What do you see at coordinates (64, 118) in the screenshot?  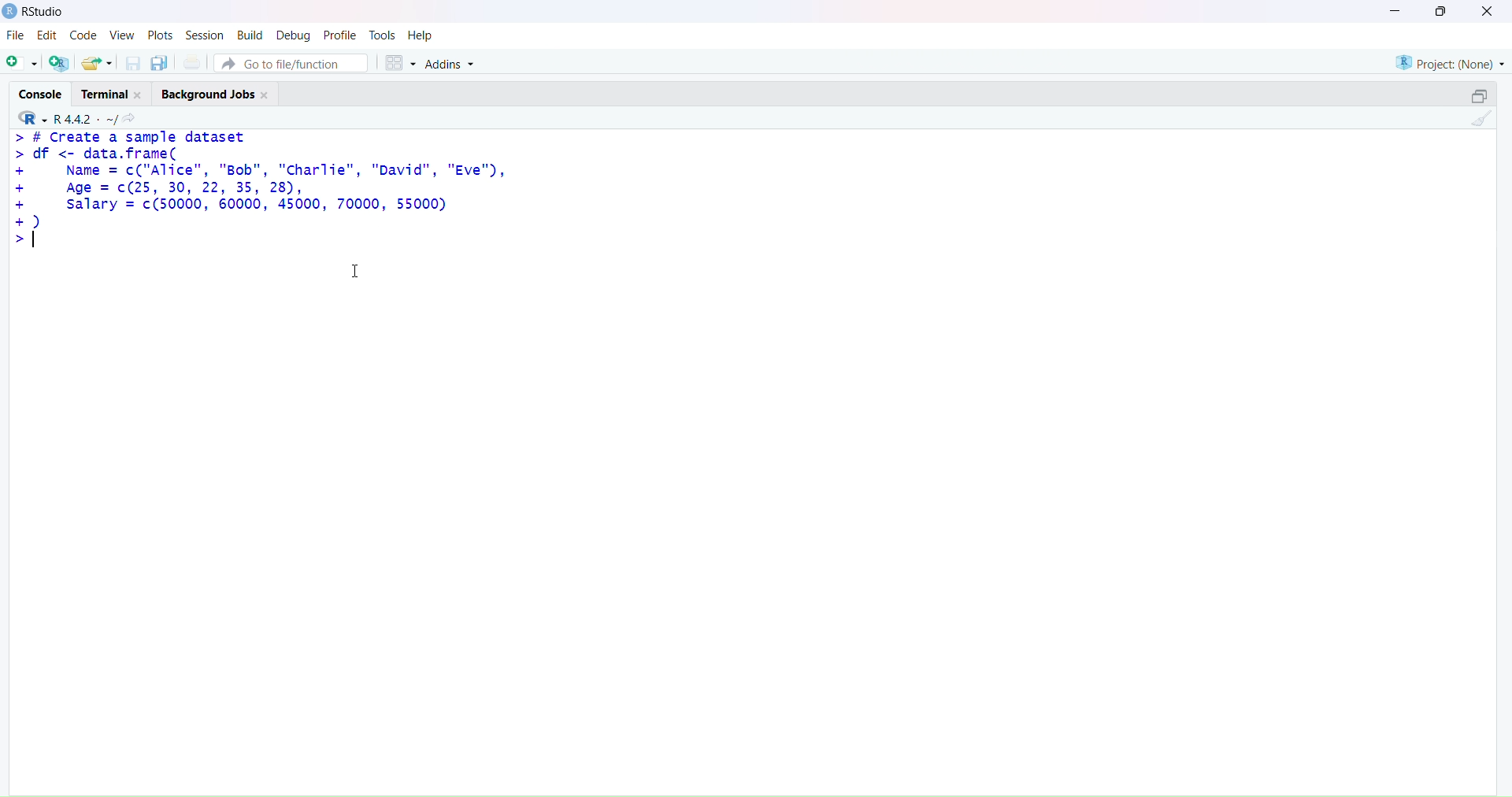 I see `R 4.4.2` at bounding box center [64, 118].